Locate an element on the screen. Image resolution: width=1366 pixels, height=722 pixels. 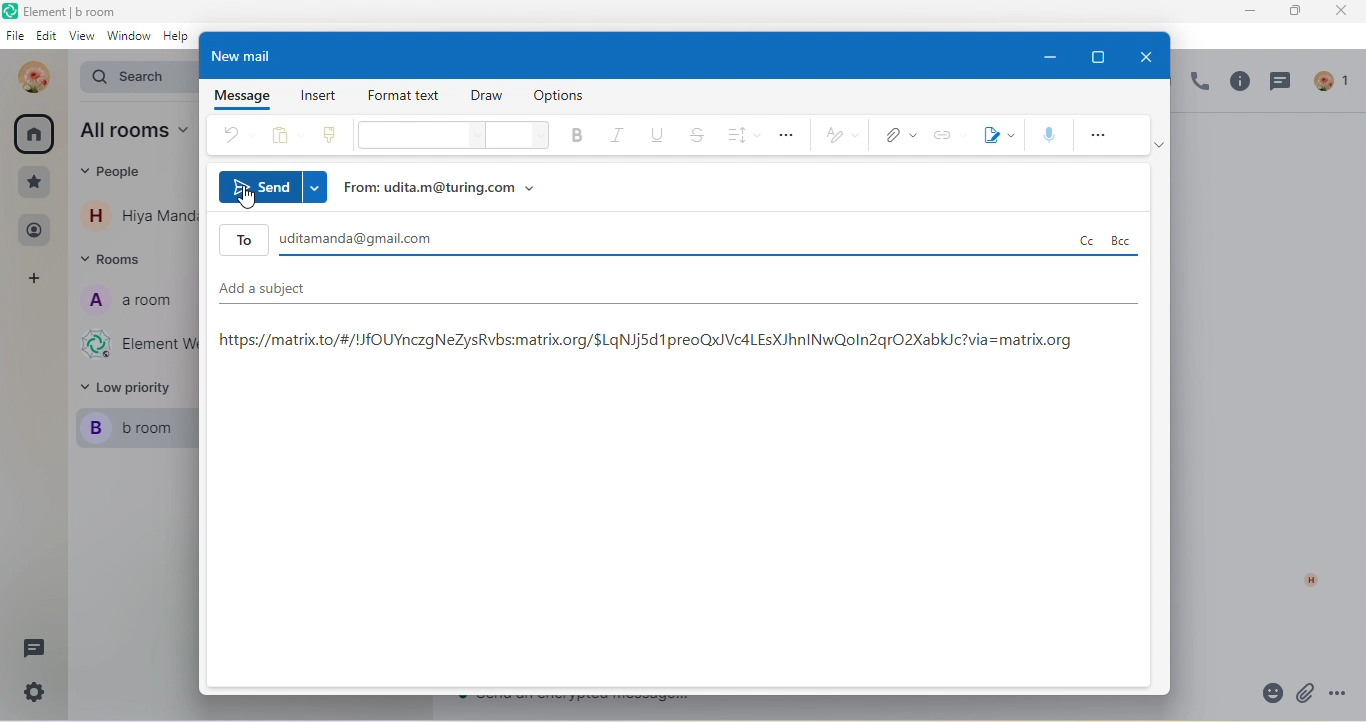
rooms is located at coordinates (116, 264).